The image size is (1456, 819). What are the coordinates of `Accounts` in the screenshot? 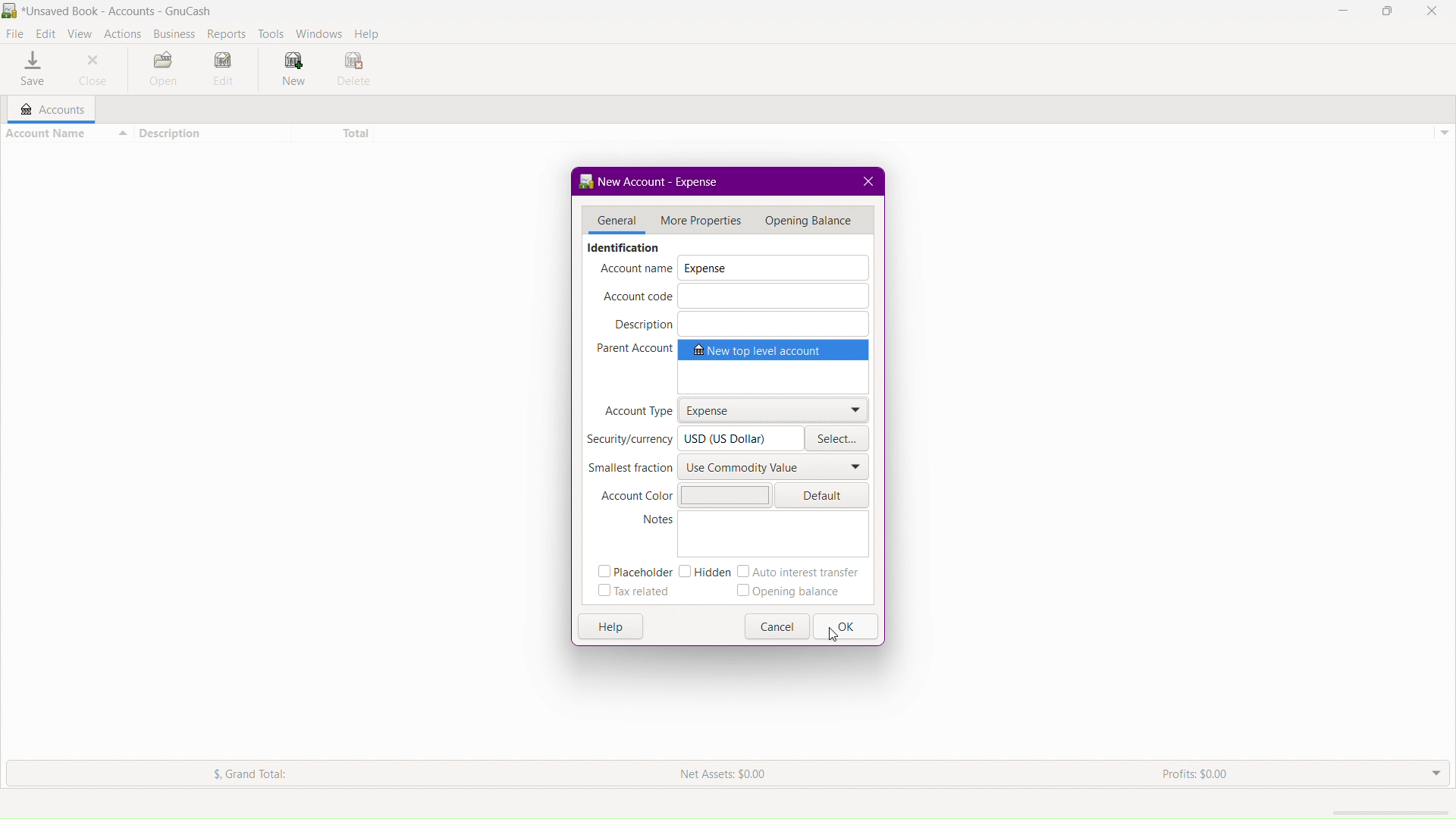 It's located at (47, 109).